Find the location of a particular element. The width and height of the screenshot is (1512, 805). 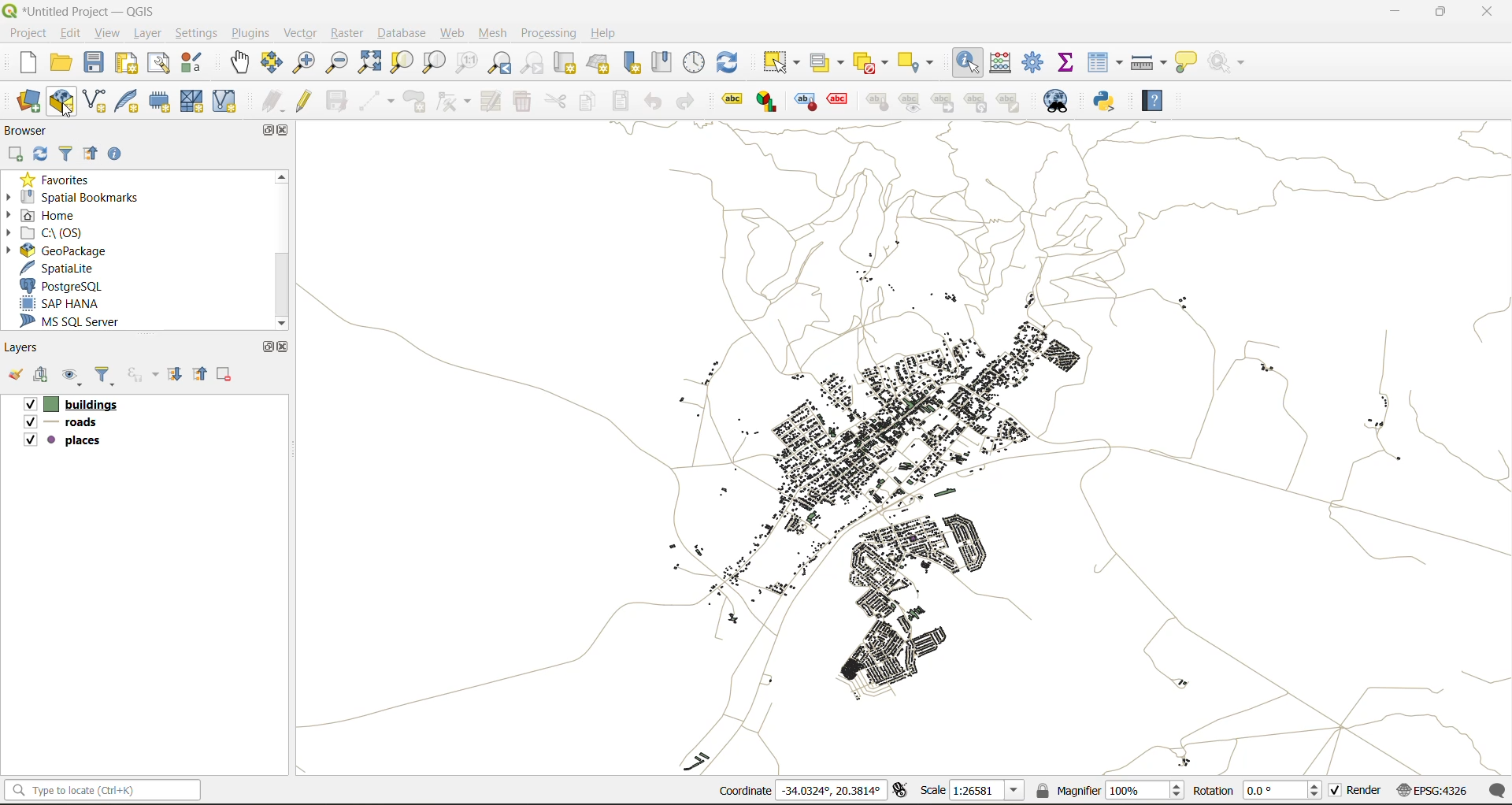

close is located at coordinates (283, 347).